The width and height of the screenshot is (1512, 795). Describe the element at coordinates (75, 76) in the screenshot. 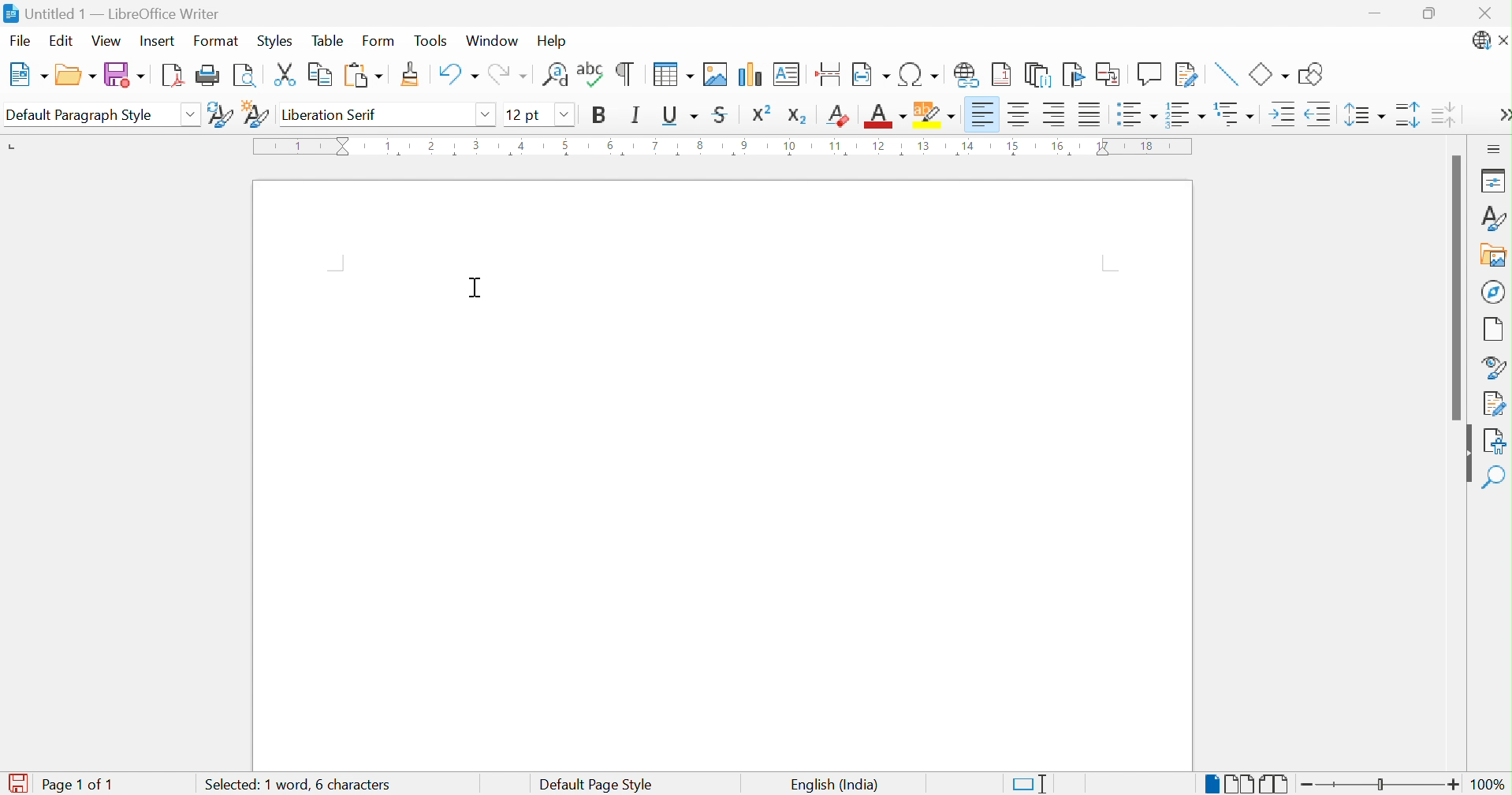

I see `Open` at that location.